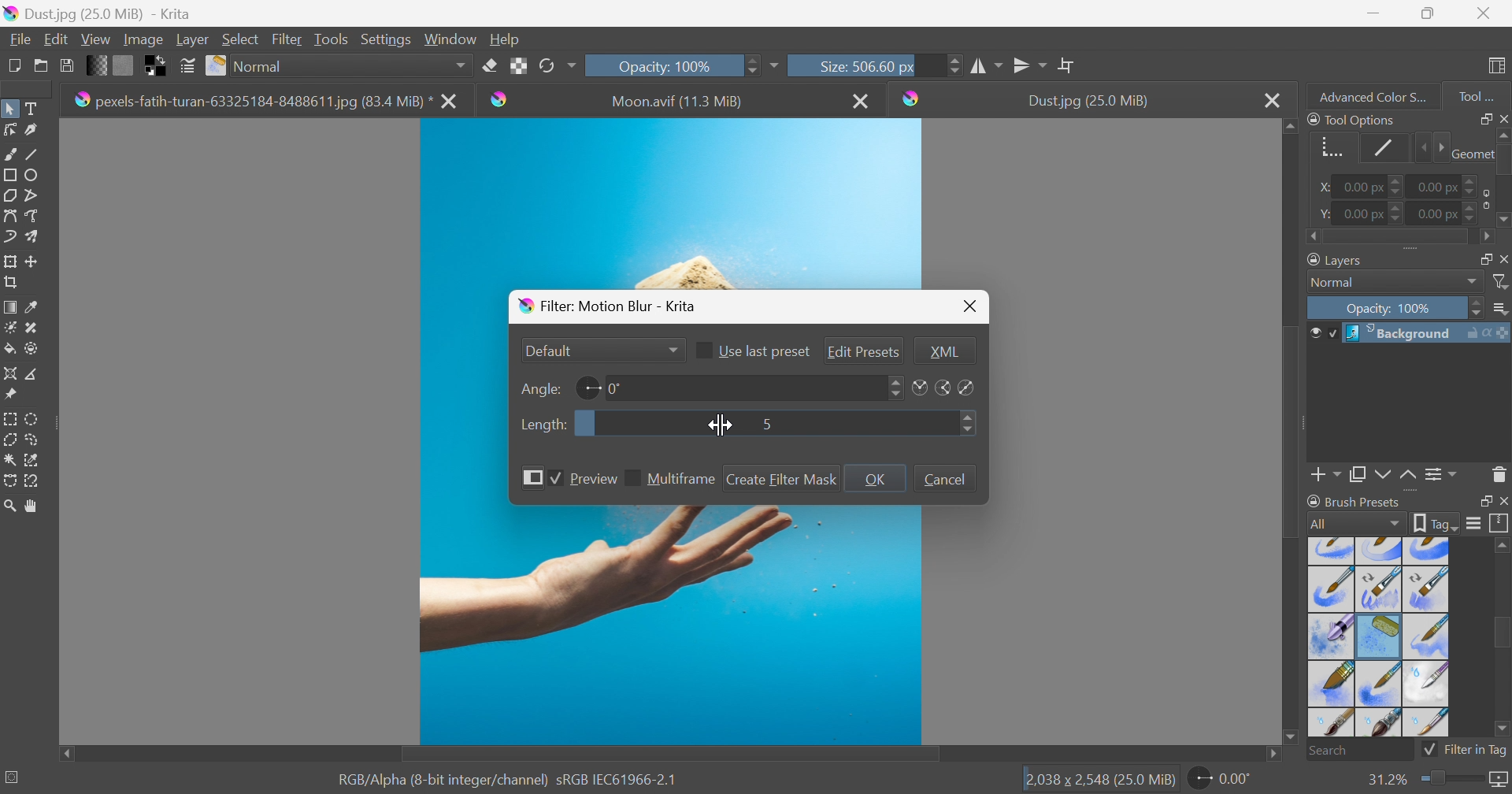  What do you see at coordinates (331, 38) in the screenshot?
I see `Tools` at bounding box center [331, 38].